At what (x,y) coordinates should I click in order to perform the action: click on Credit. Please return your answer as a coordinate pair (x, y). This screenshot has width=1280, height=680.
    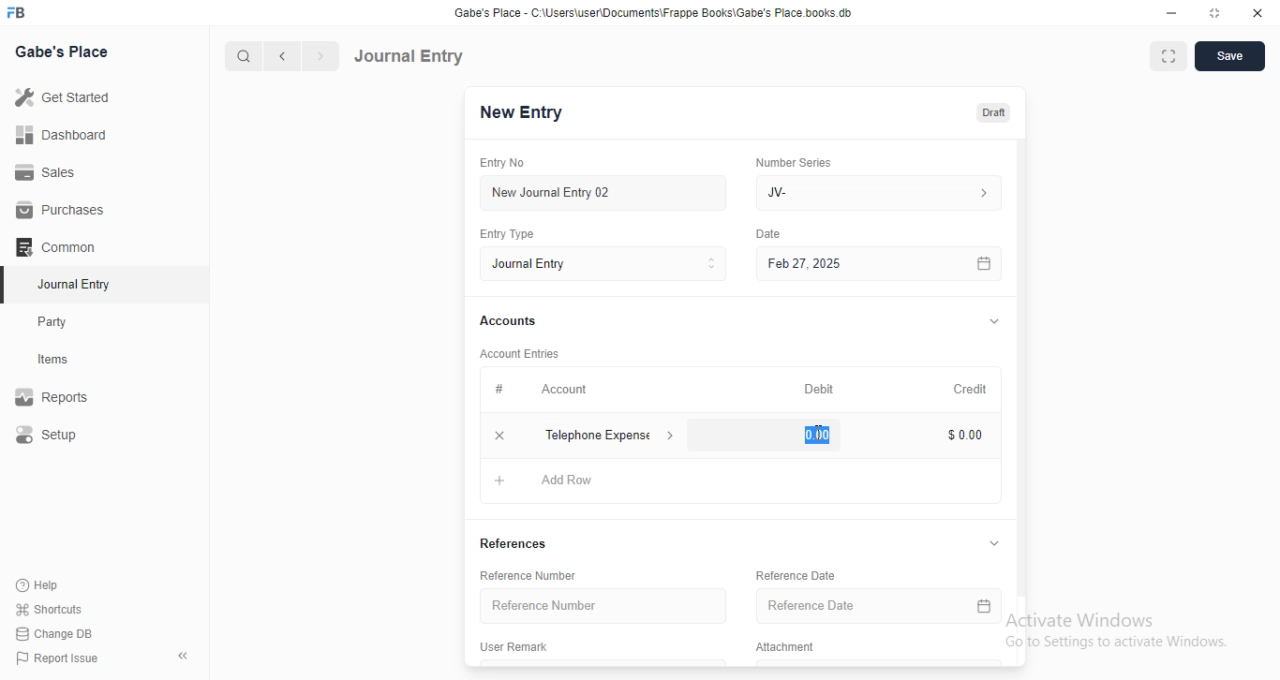
    Looking at the image, I should click on (971, 390).